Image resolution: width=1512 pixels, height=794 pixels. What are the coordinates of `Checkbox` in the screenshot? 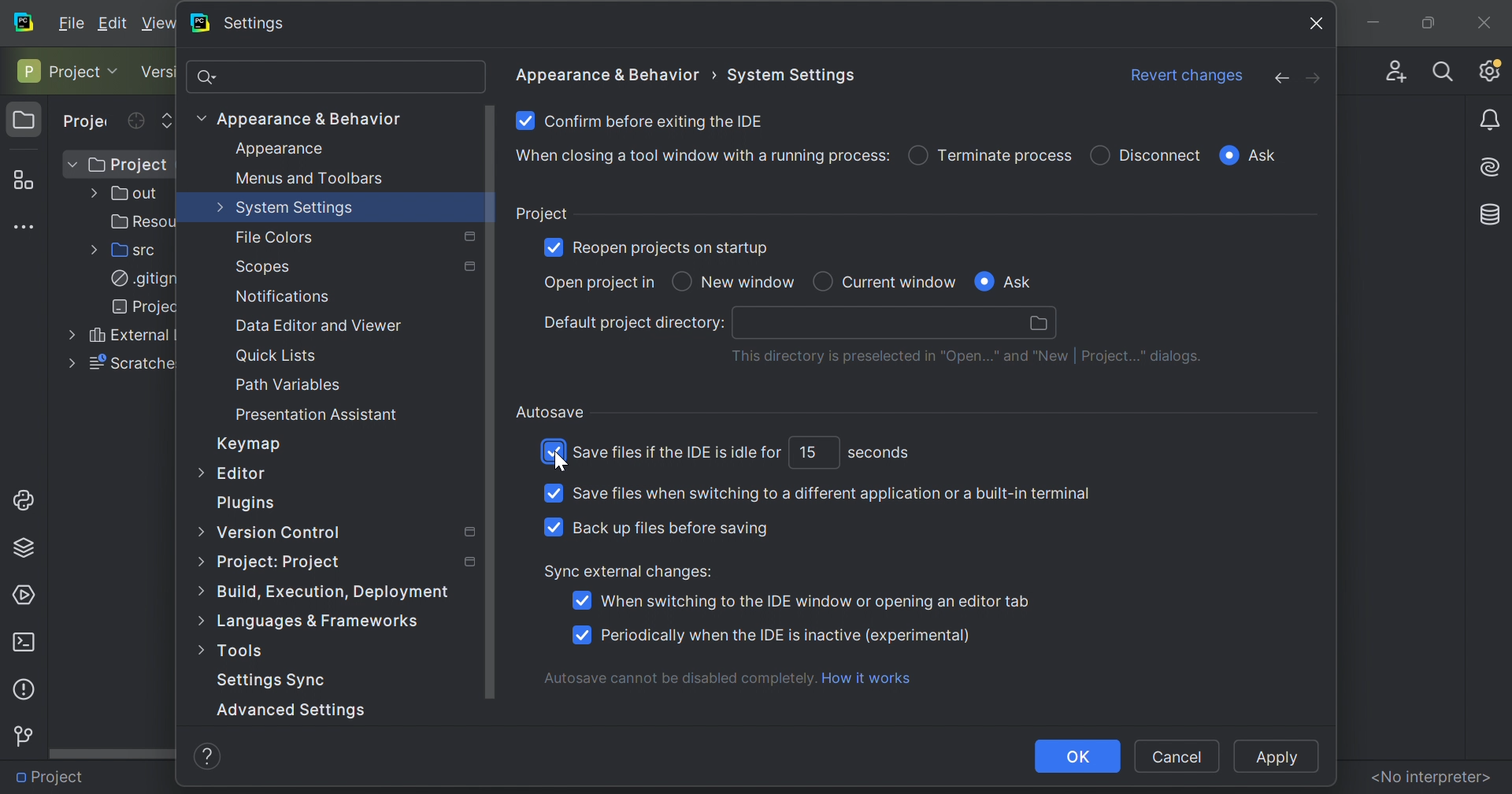 It's located at (1099, 153).